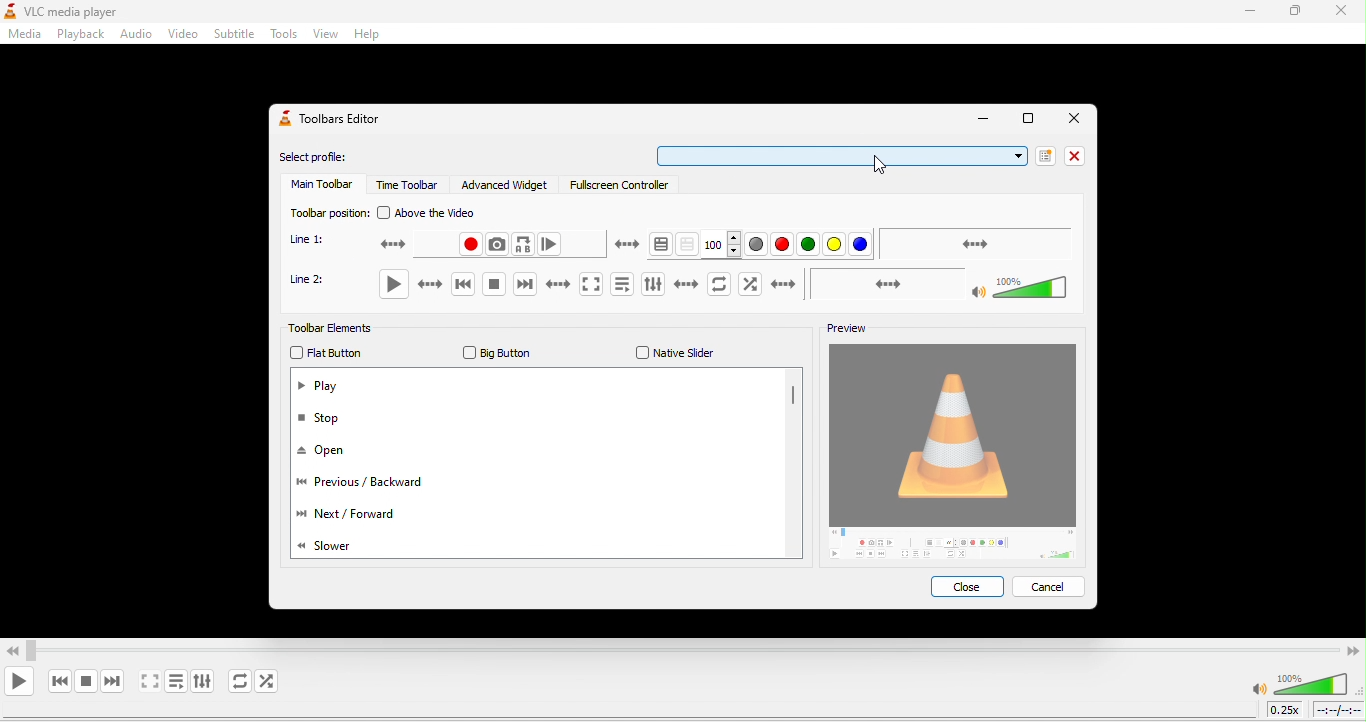 This screenshot has height=722, width=1366. Describe the element at coordinates (58, 681) in the screenshot. I see `previous media` at that location.